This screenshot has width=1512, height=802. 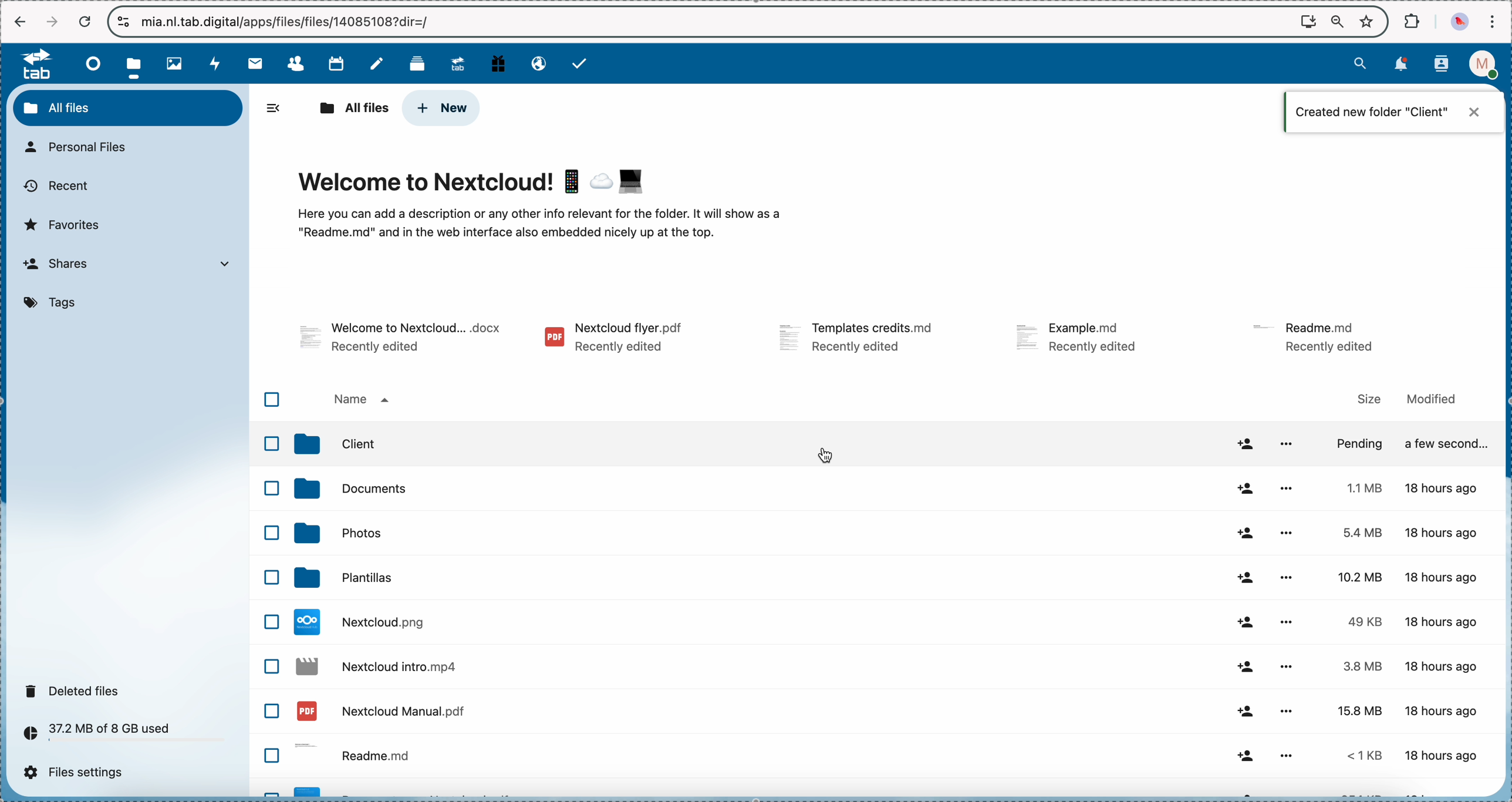 I want to click on more options, so click(x=1289, y=754).